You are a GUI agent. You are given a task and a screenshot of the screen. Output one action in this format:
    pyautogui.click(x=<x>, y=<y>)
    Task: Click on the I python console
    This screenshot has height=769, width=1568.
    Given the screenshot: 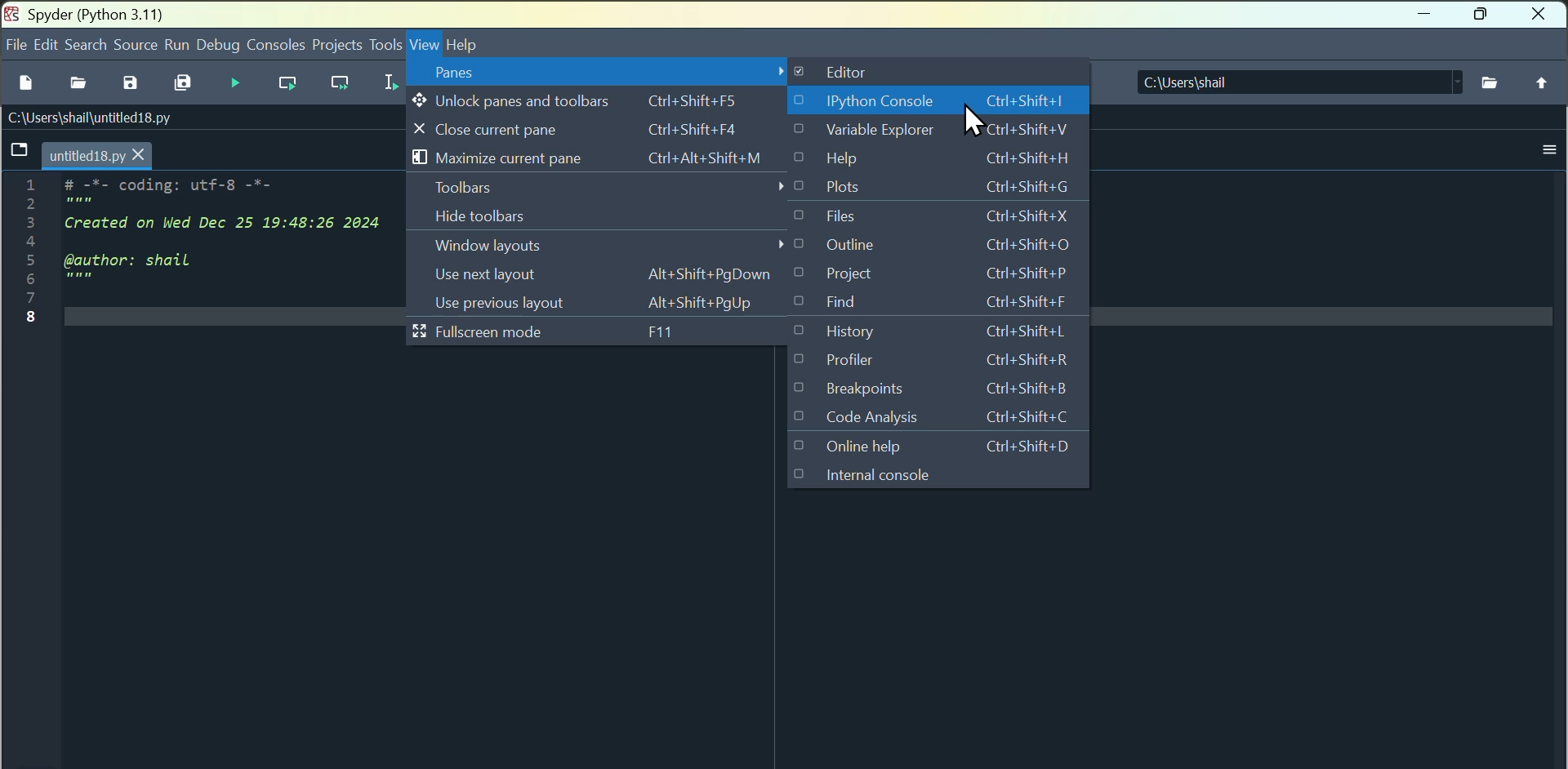 What is the action you would take?
    pyautogui.click(x=936, y=100)
    